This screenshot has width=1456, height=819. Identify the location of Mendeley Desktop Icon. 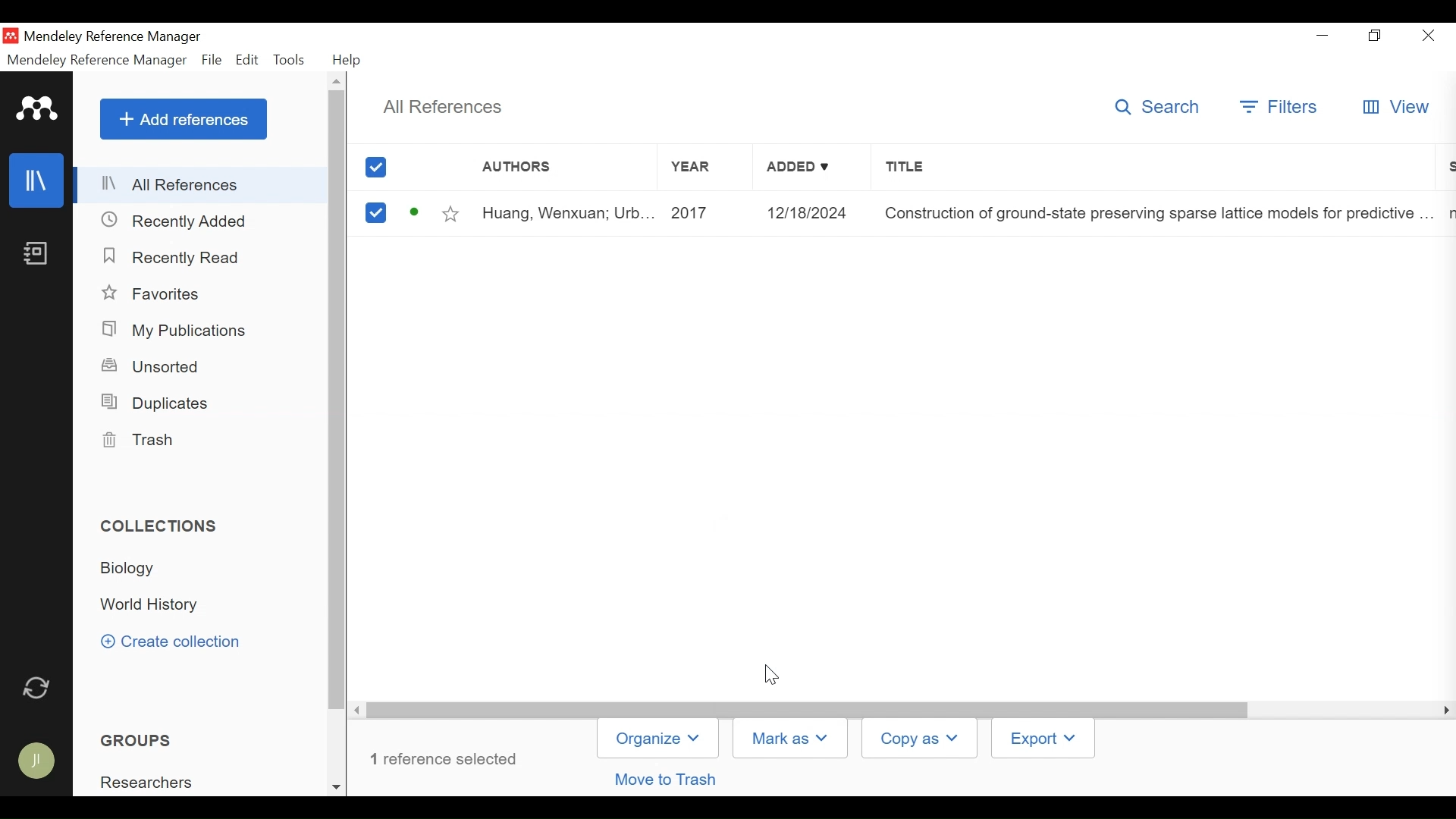
(10, 35).